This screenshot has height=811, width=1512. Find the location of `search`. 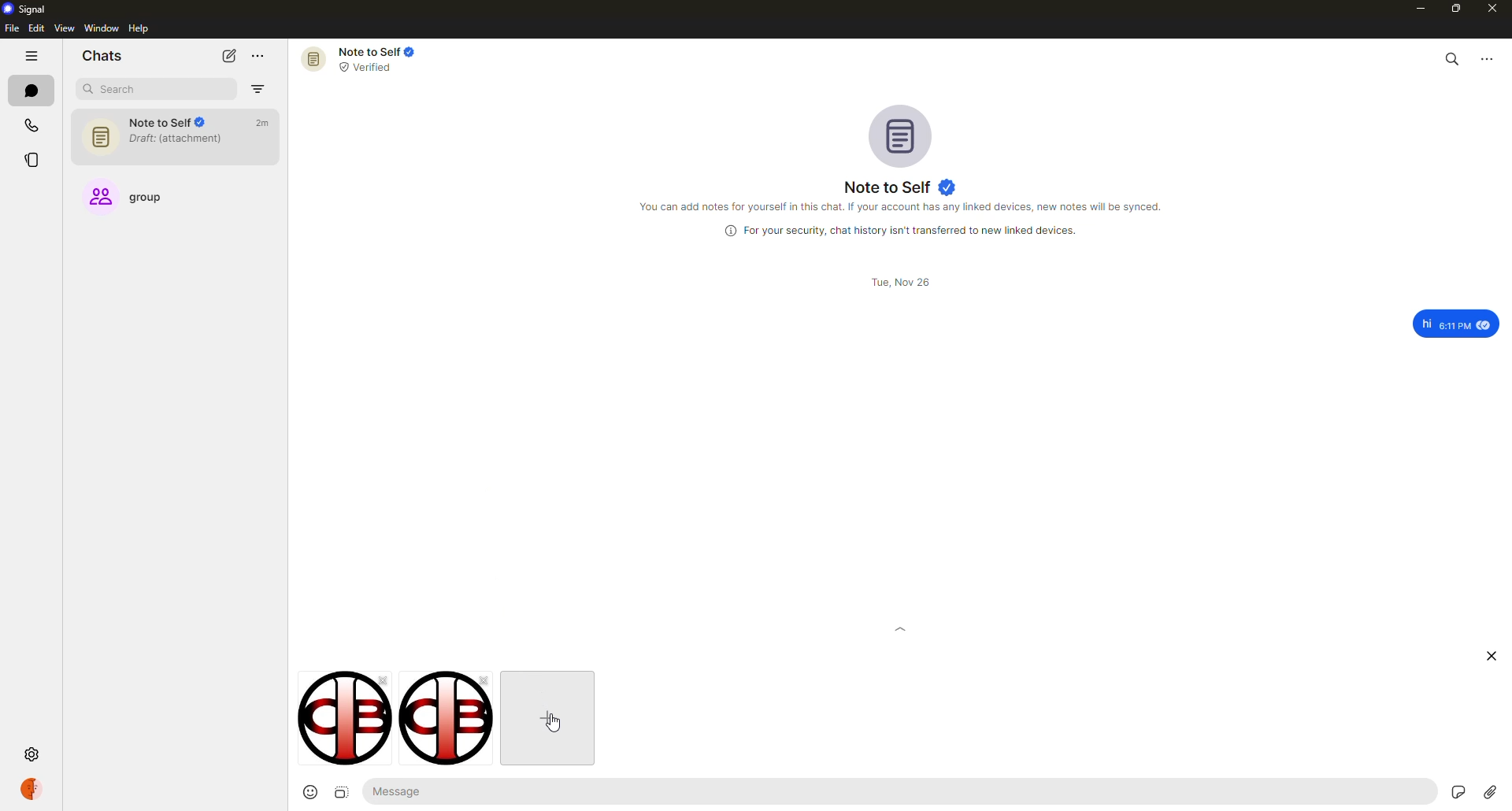

search is located at coordinates (1451, 57).